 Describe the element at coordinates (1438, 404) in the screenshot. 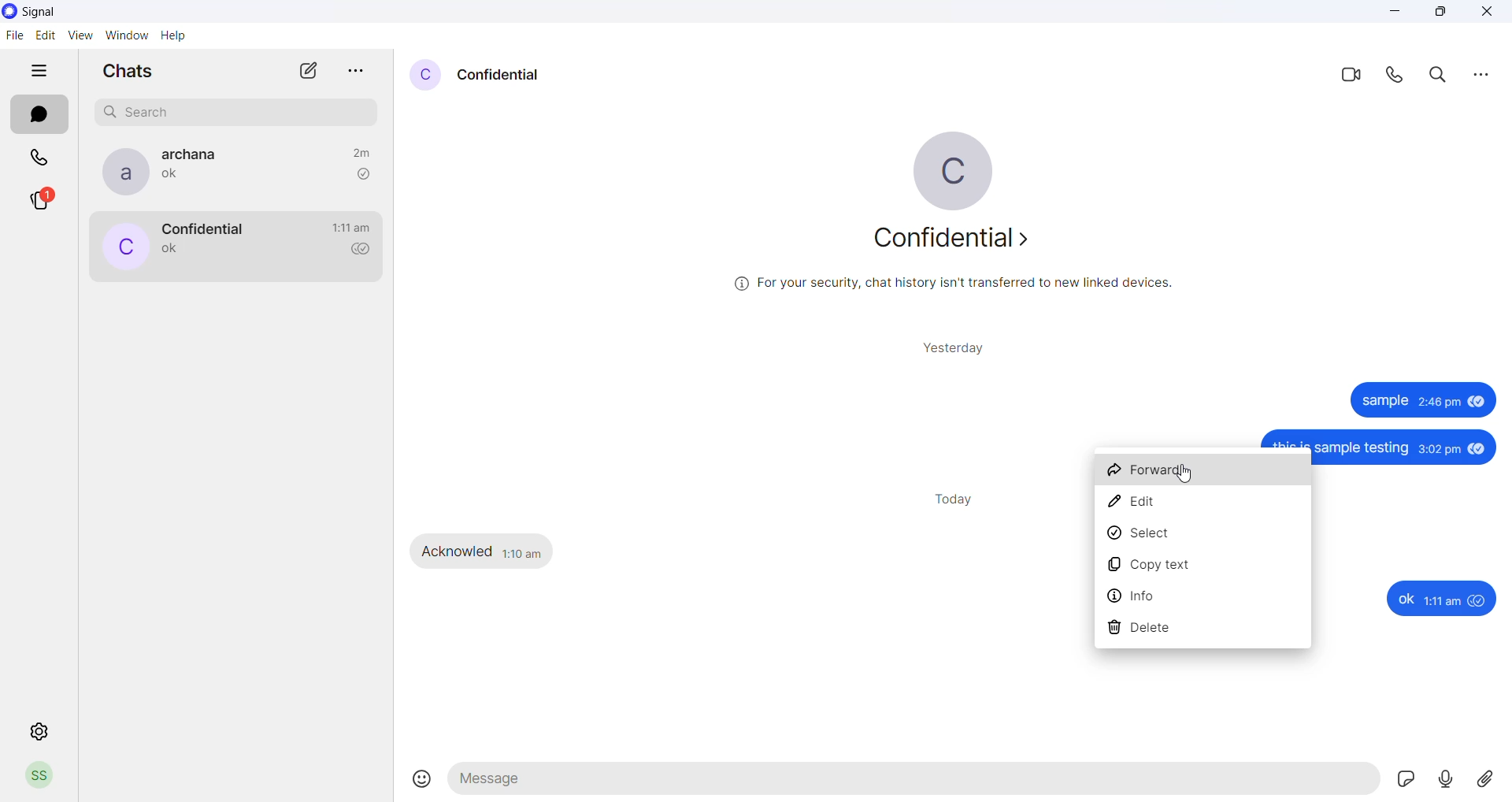

I see `2:46 pm` at that location.